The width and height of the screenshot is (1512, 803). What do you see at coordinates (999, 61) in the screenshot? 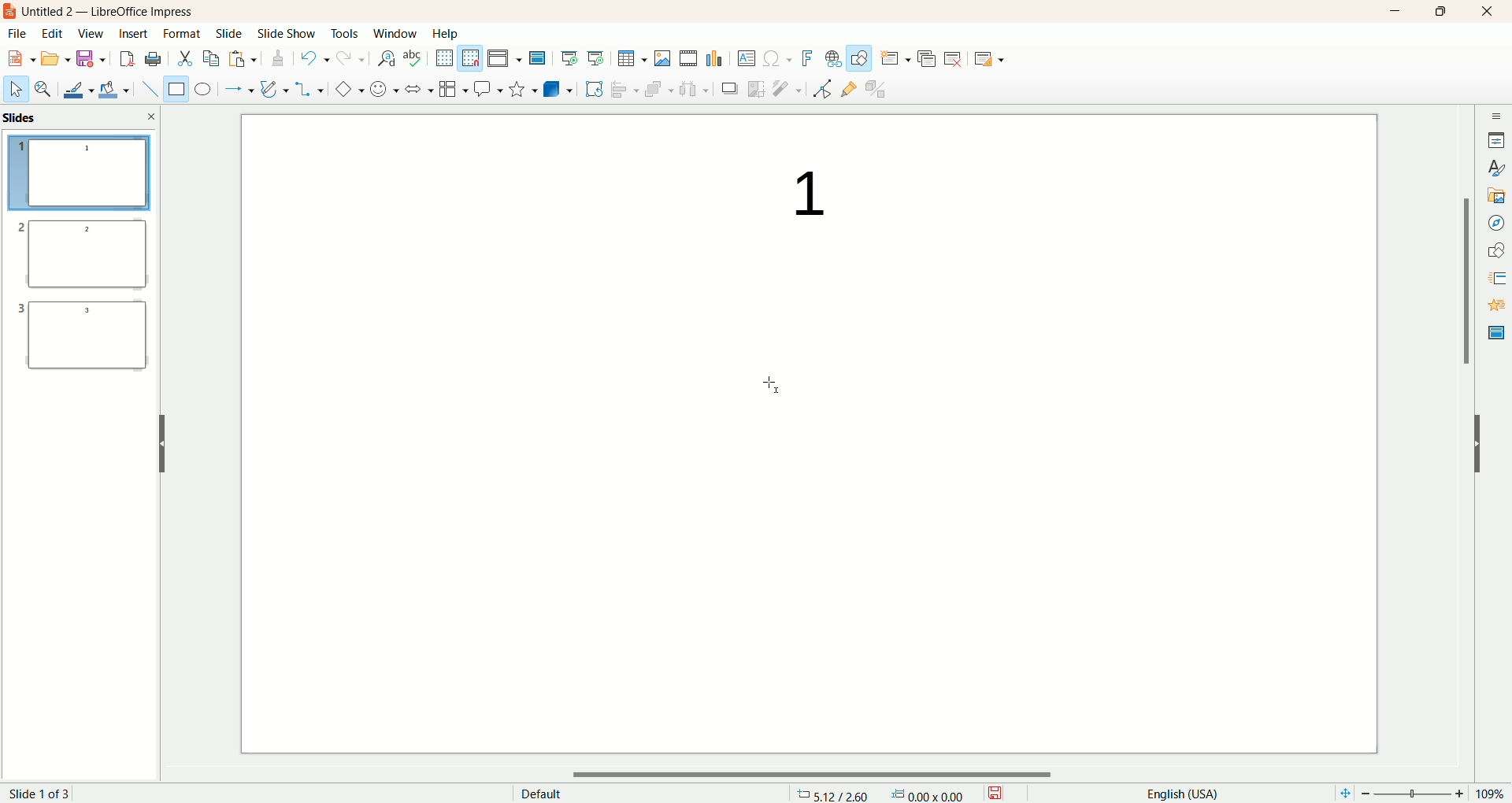
I see `slide layout` at bounding box center [999, 61].